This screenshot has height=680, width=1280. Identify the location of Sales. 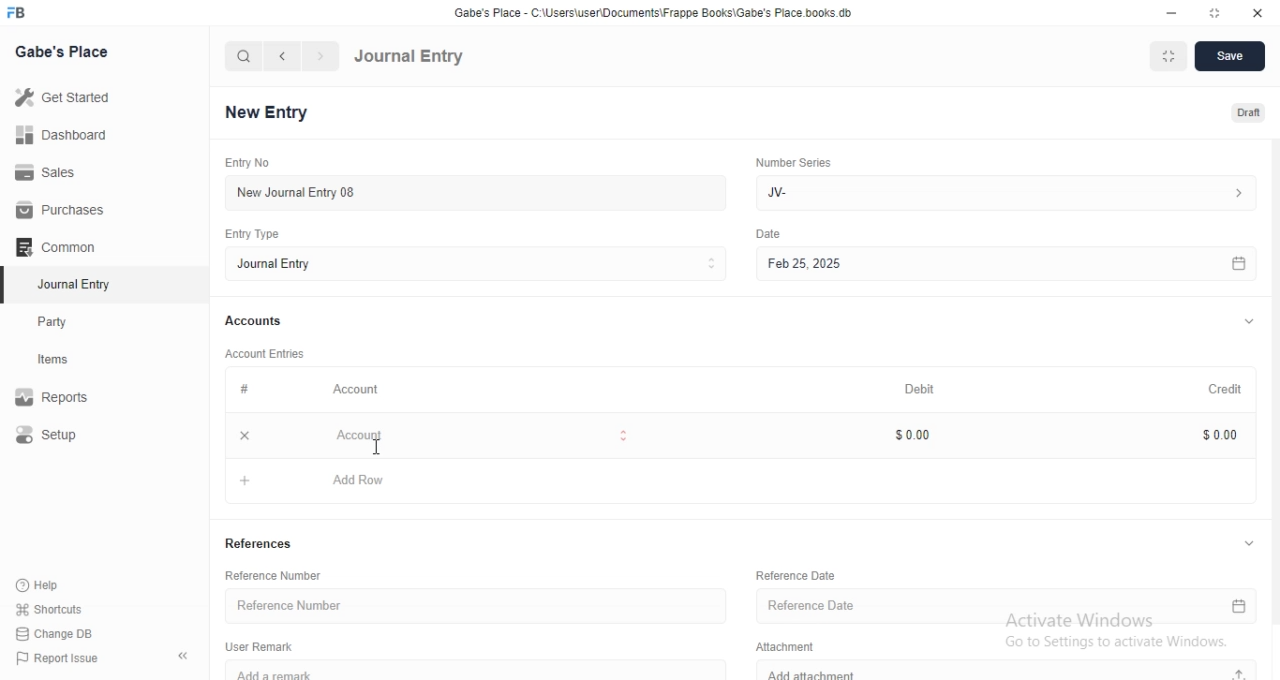
(57, 173).